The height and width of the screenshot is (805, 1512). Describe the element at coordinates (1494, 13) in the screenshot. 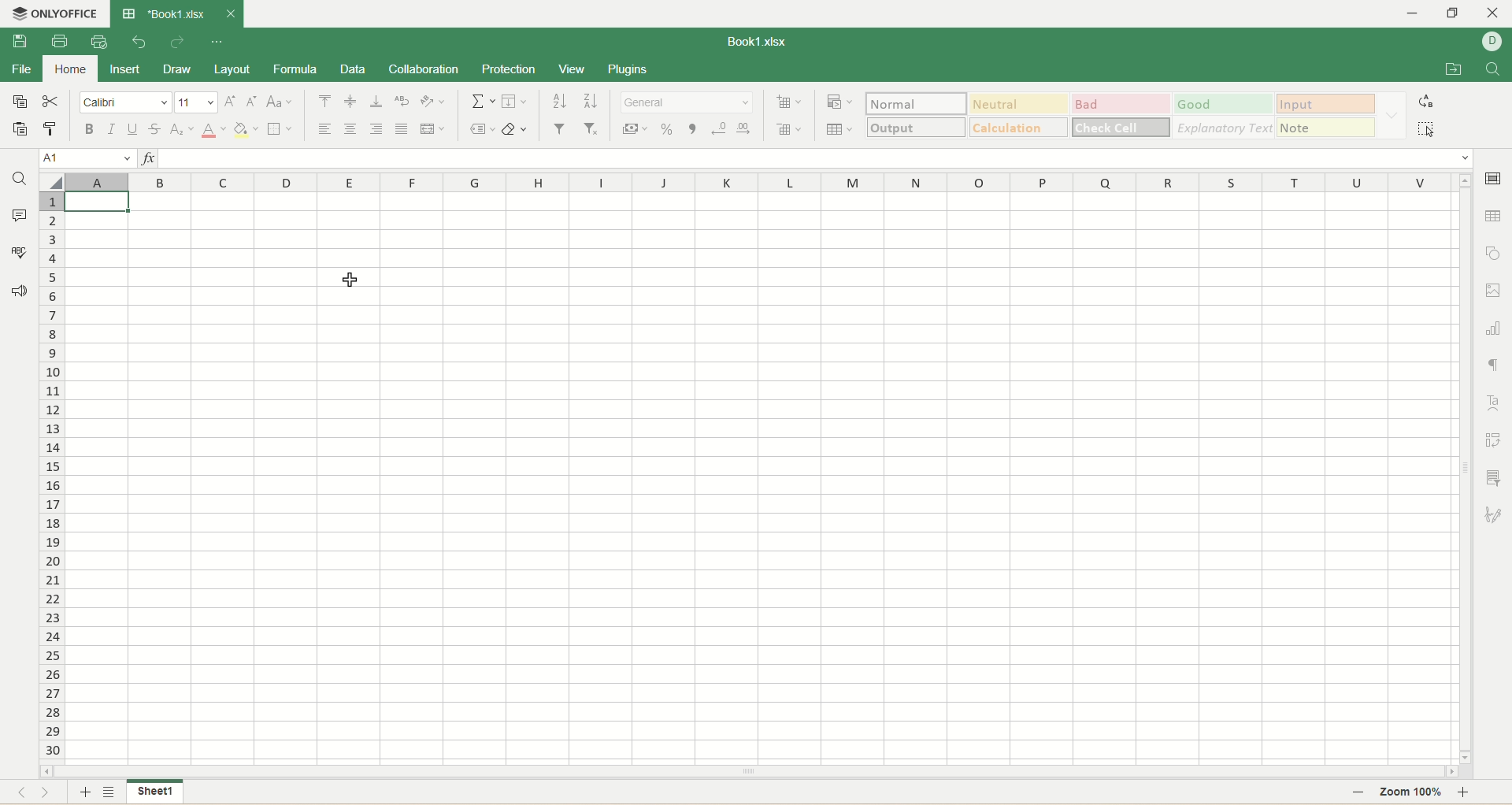

I see `close` at that location.